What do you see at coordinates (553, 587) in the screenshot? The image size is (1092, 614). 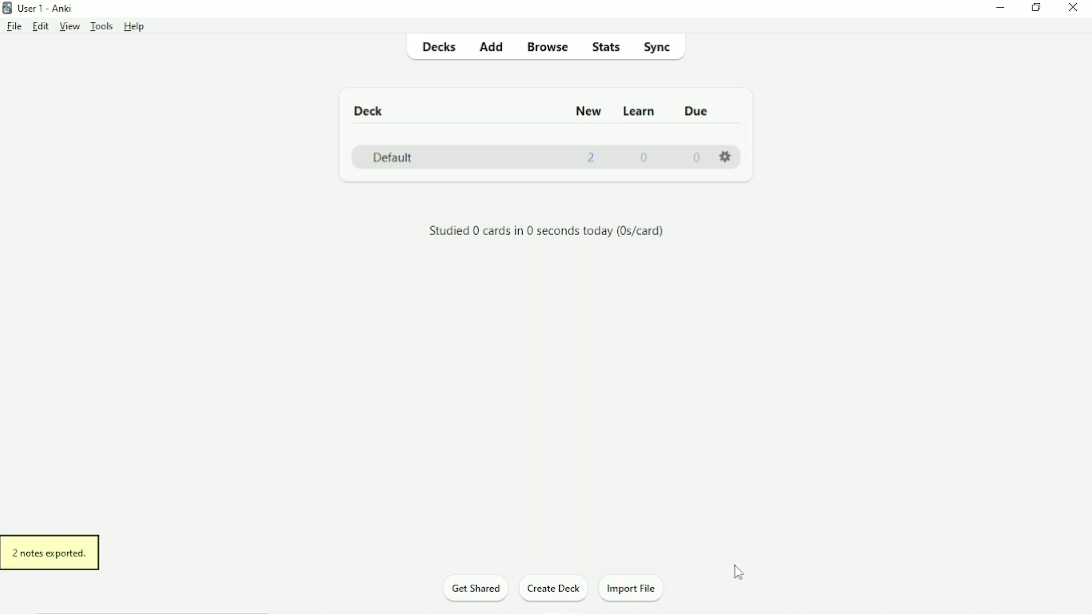 I see `Create Deck` at bounding box center [553, 587].